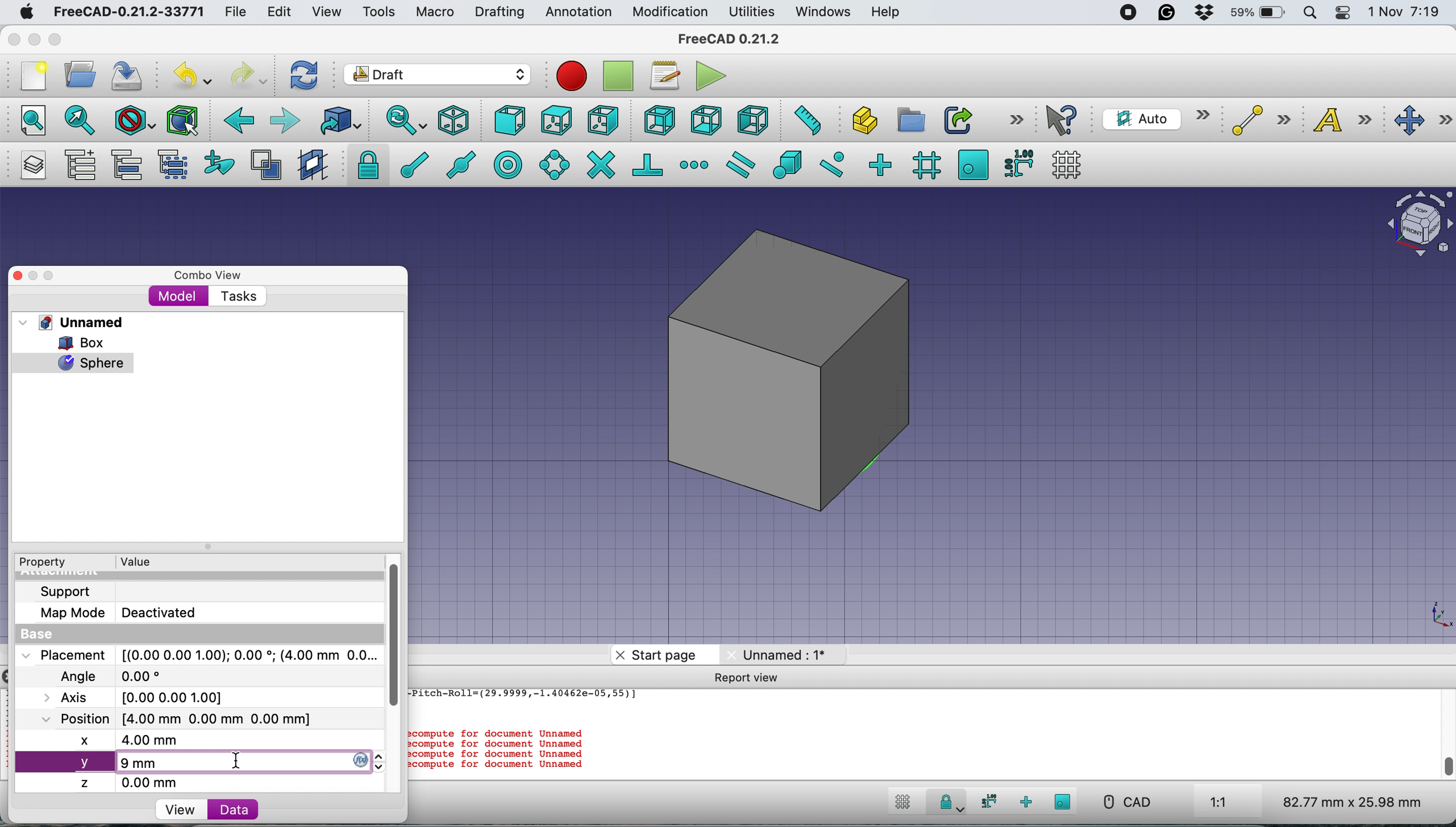  Describe the element at coordinates (861, 122) in the screenshot. I see `create part` at that location.